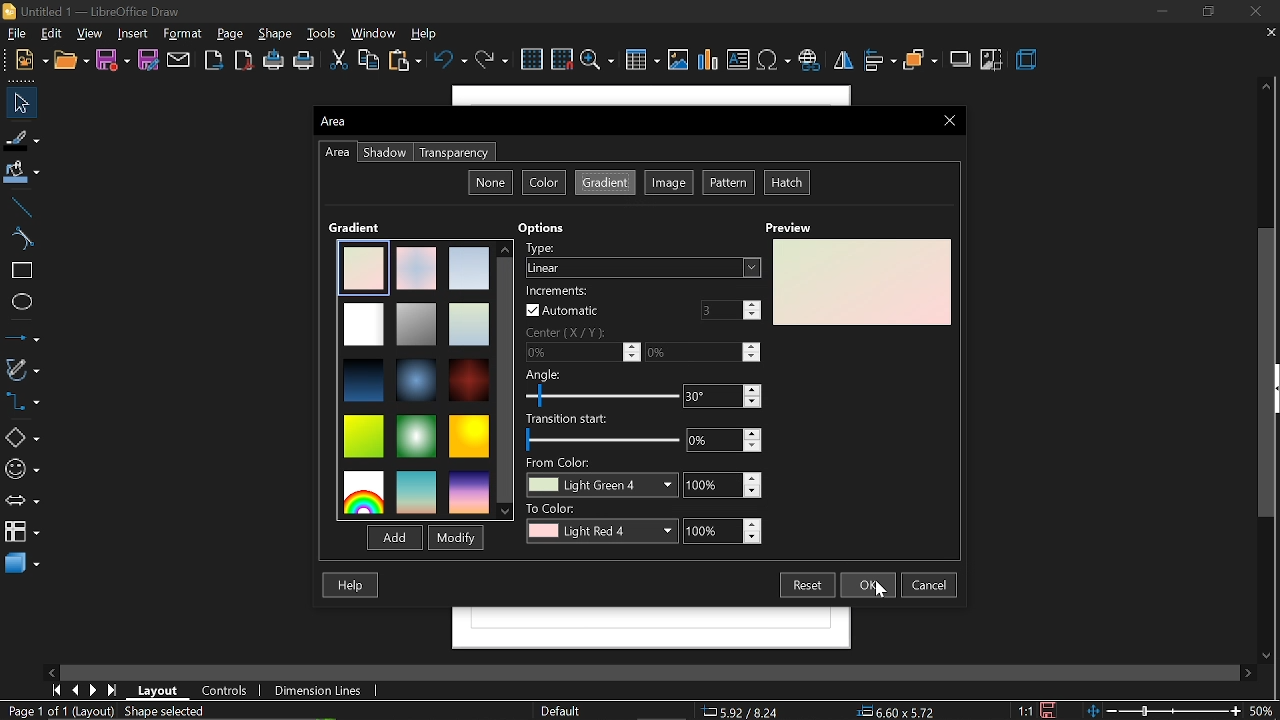 The height and width of the screenshot is (720, 1280). I want to click on center Y, so click(702, 352).